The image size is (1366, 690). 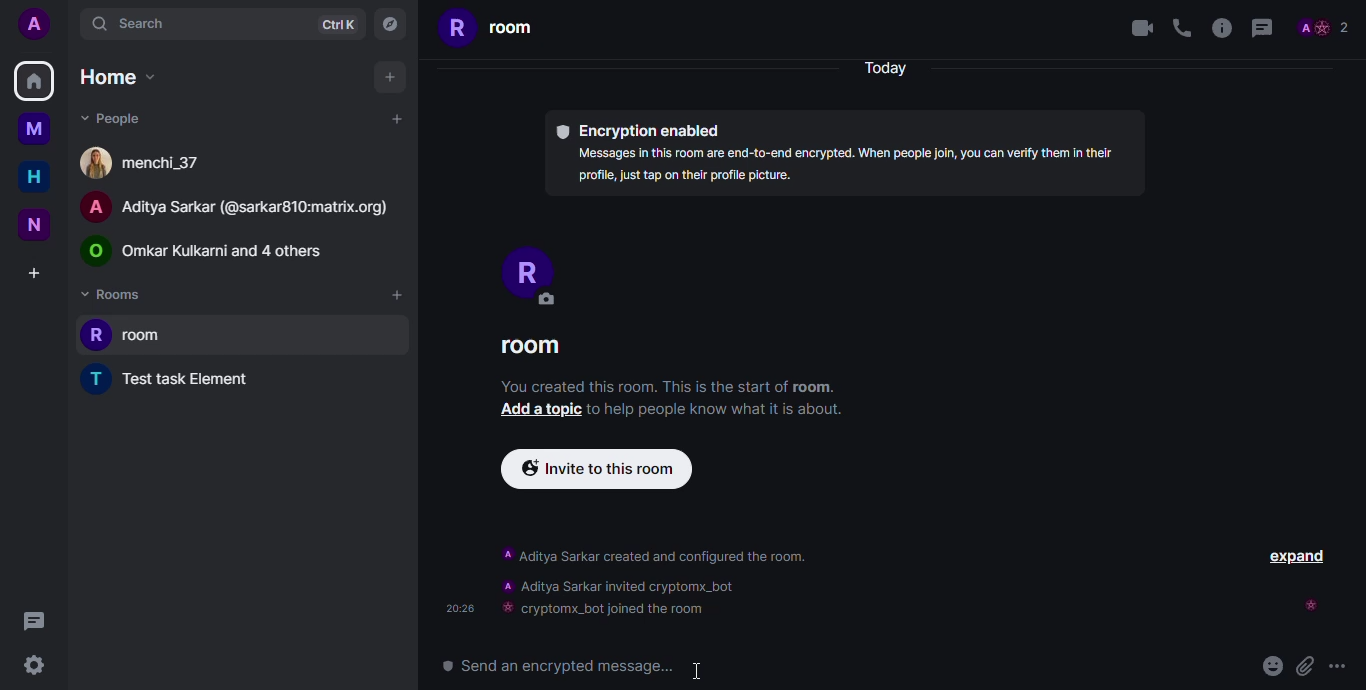 I want to click on search, so click(x=131, y=23).